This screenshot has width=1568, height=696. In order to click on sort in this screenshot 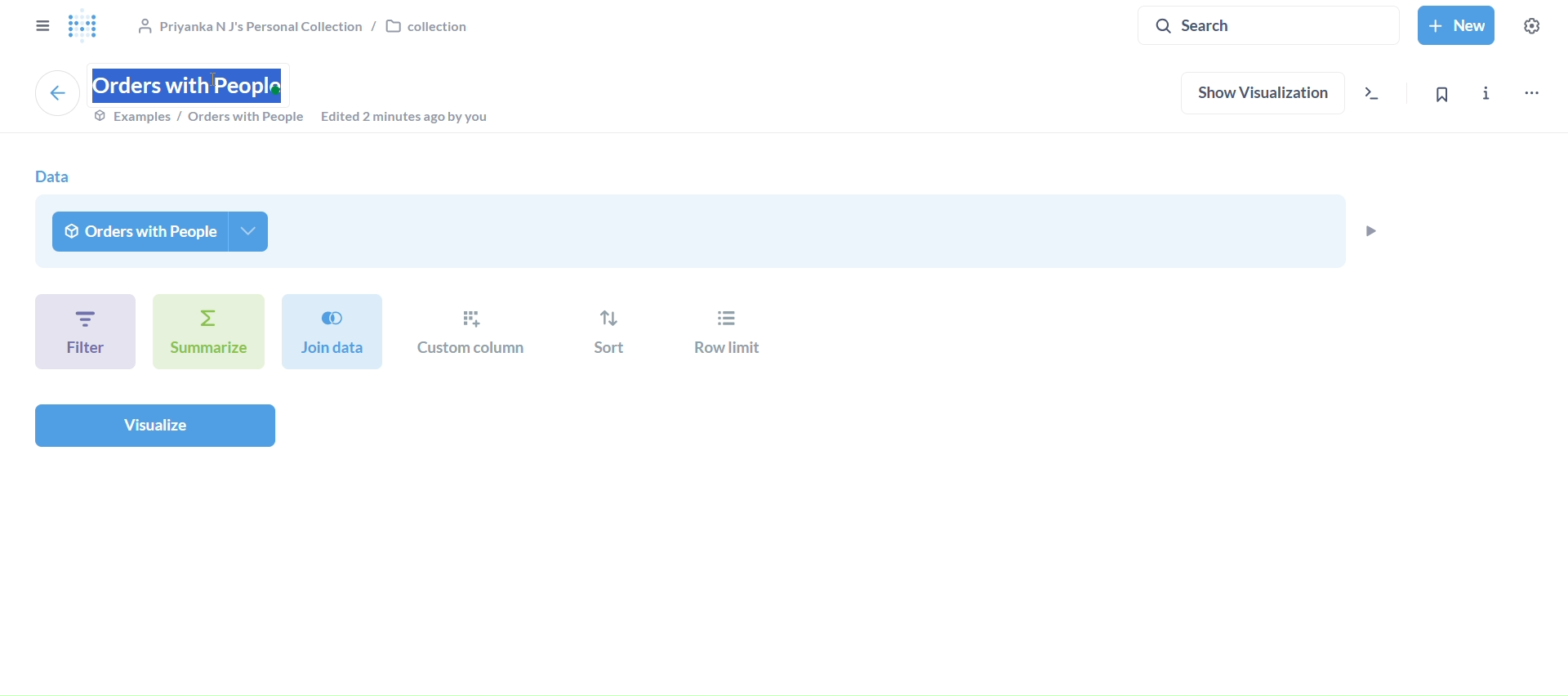, I will do `click(609, 333)`.